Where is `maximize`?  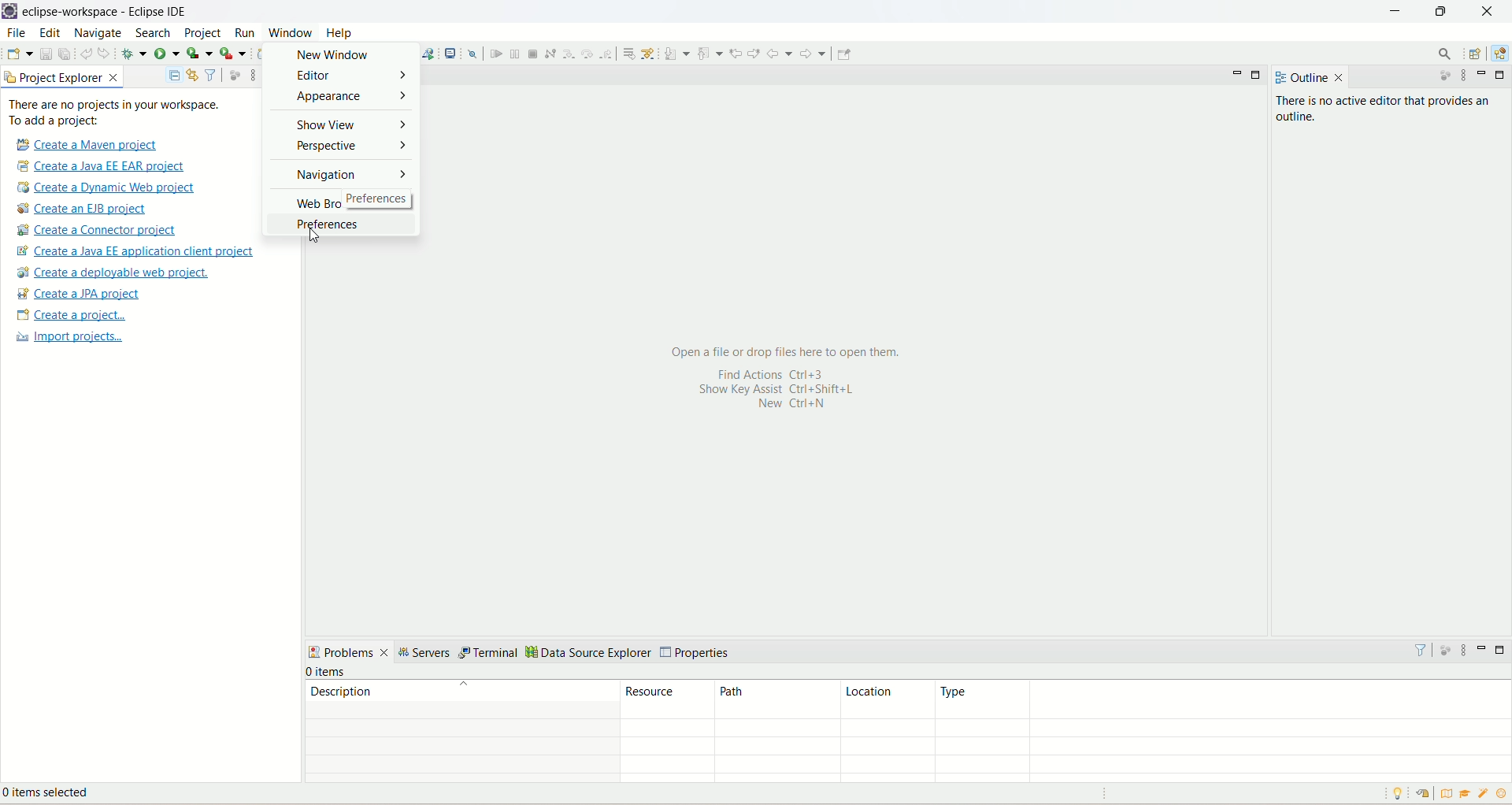
maximize is located at coordinates (1503, 650).